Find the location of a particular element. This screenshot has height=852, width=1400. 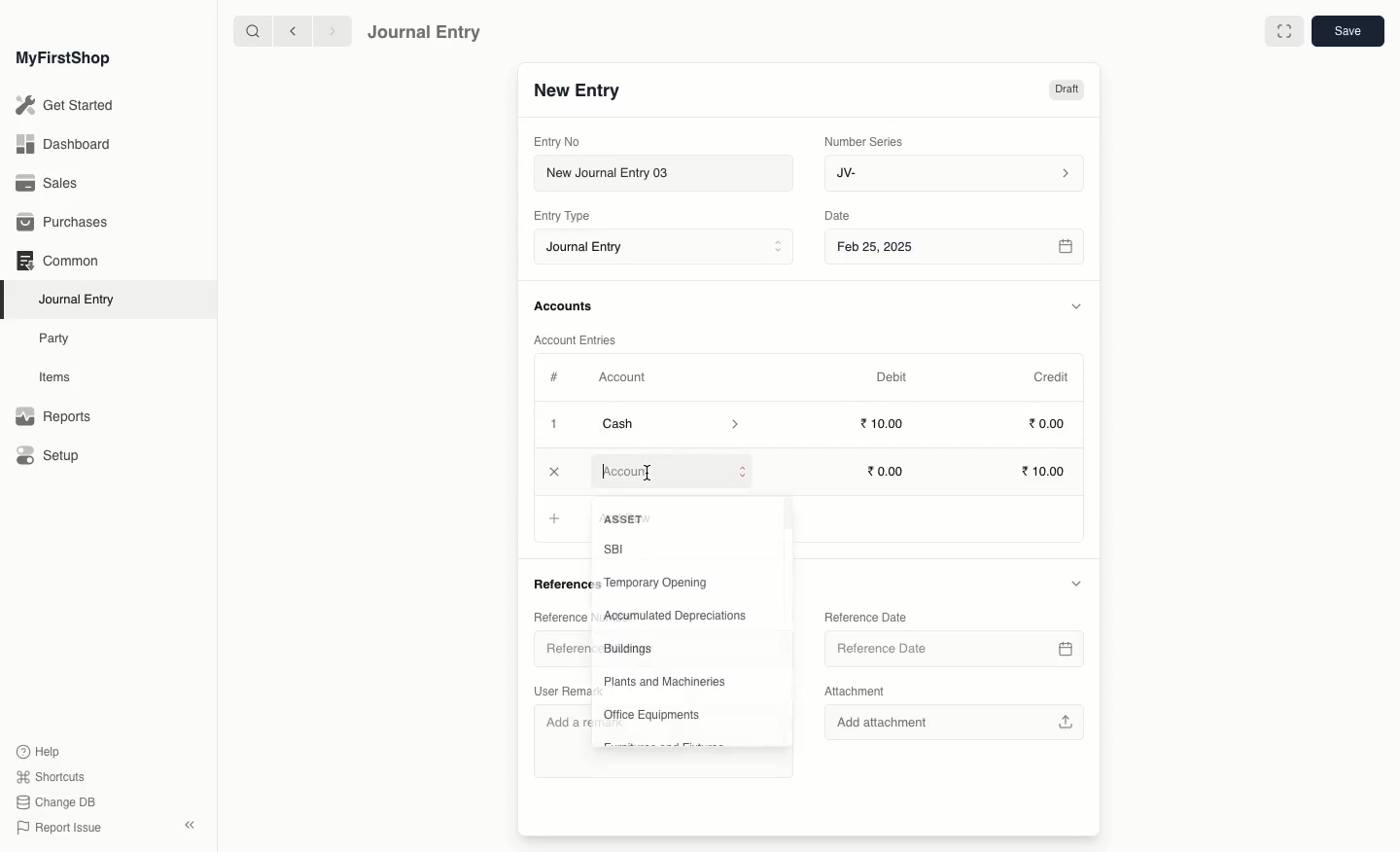

backward < is located at coordinates (288, 31).